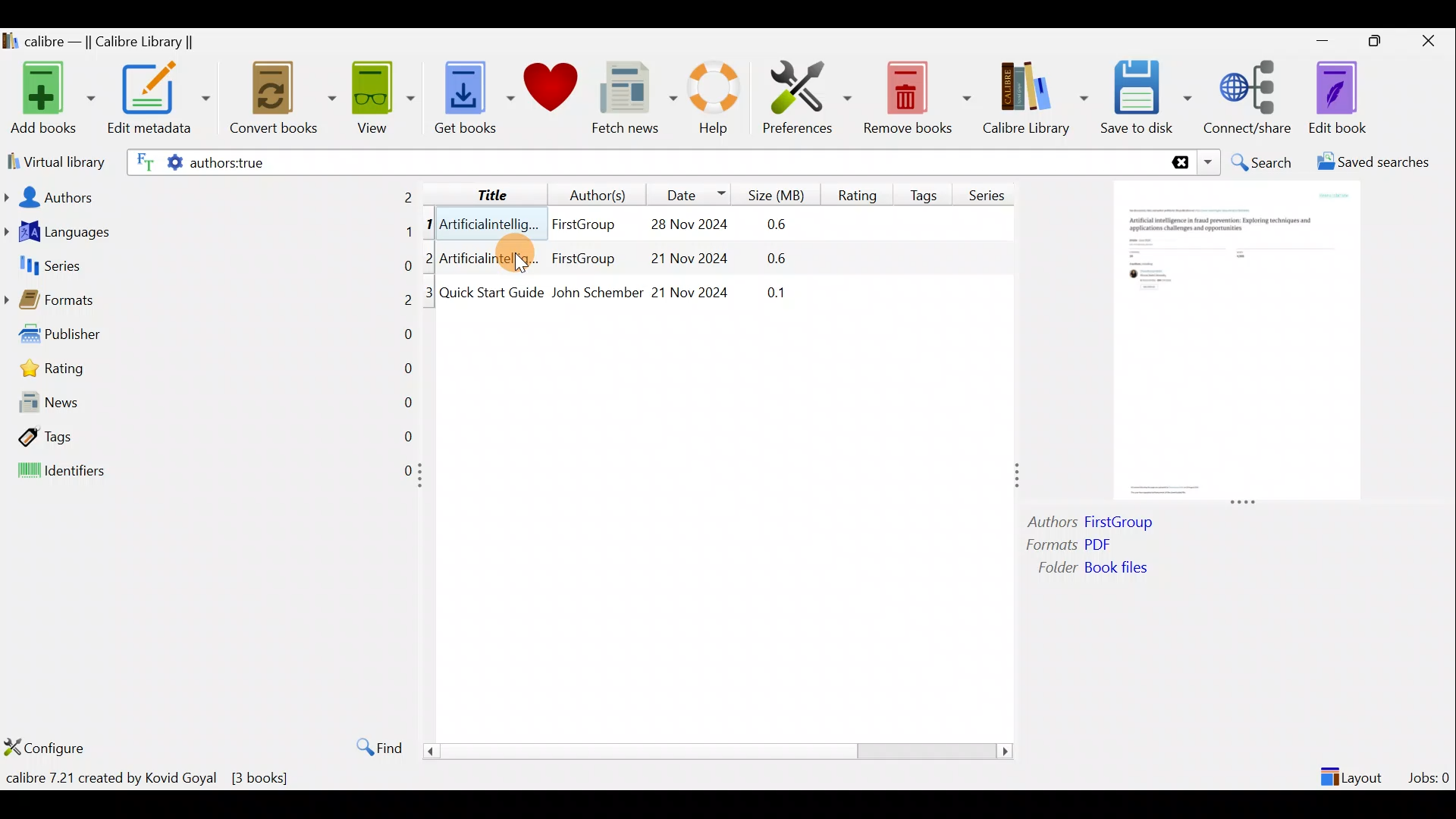  Describe the element at coordinates (209, 435) in the screenshot. I see `Tags` at that location.